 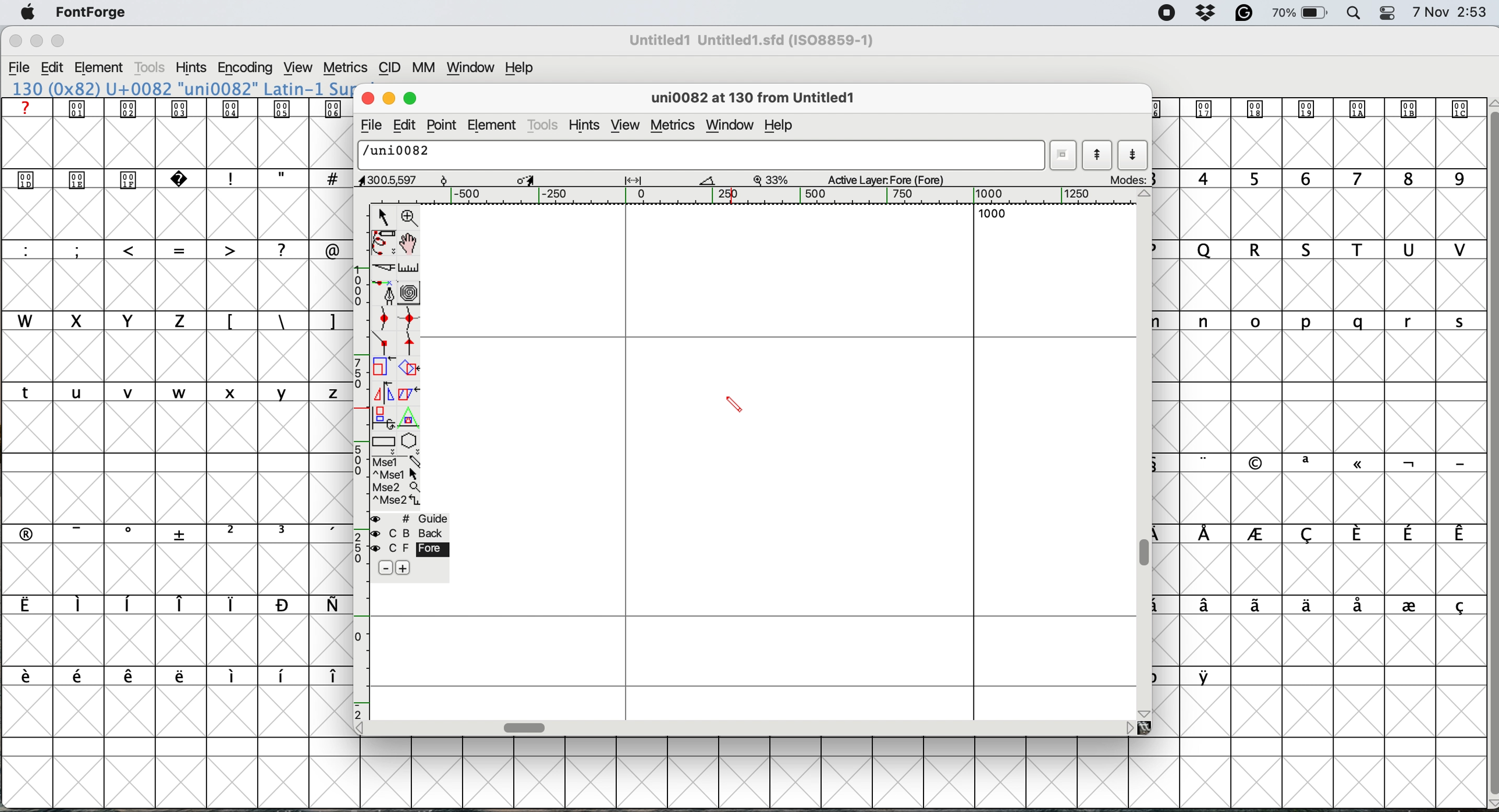 What do you see at coordinates (756, 40) in the screenshot?
I see `font name` at bounding box center [756, 40].